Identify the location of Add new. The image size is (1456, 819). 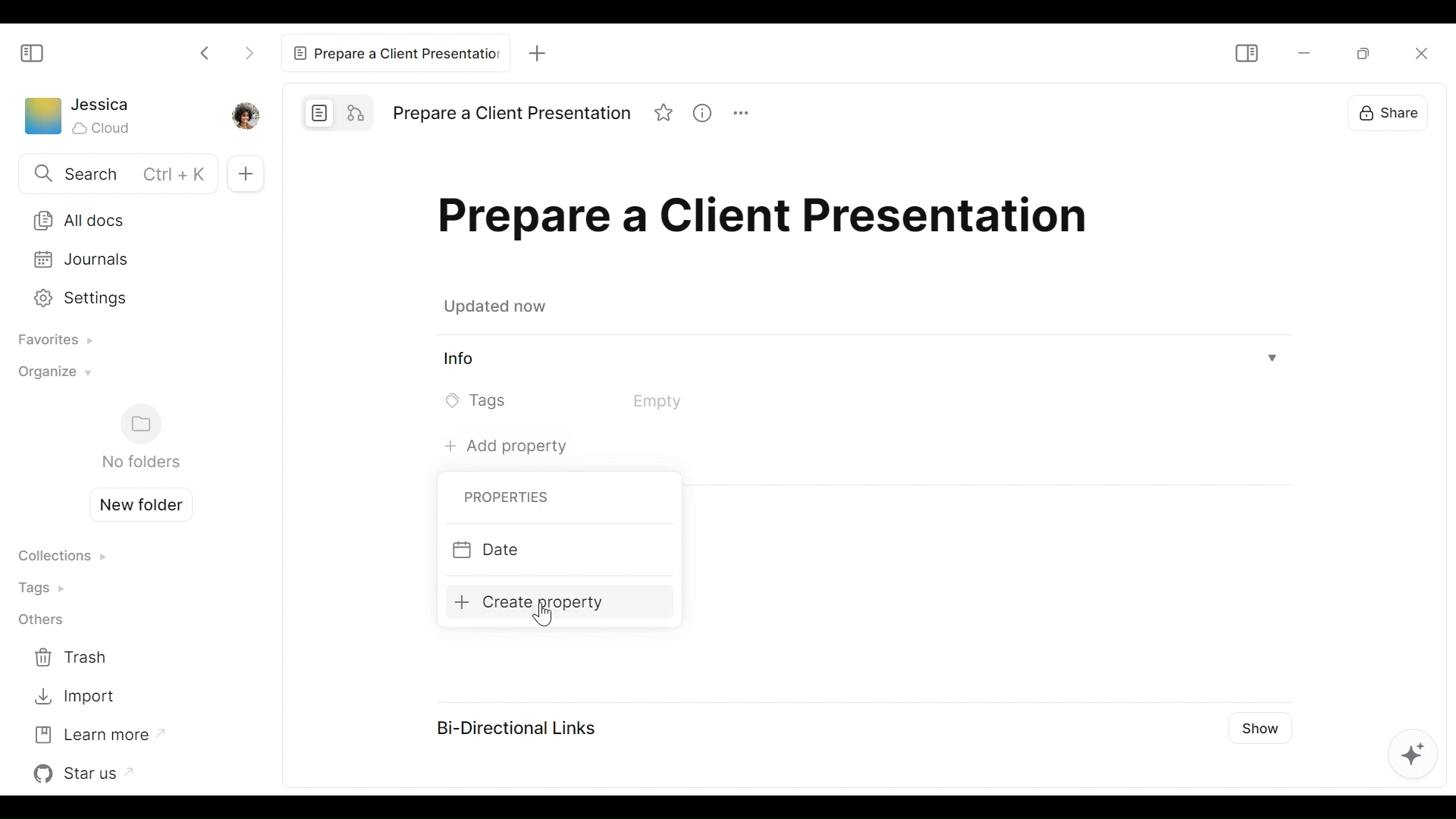
(243, 173).